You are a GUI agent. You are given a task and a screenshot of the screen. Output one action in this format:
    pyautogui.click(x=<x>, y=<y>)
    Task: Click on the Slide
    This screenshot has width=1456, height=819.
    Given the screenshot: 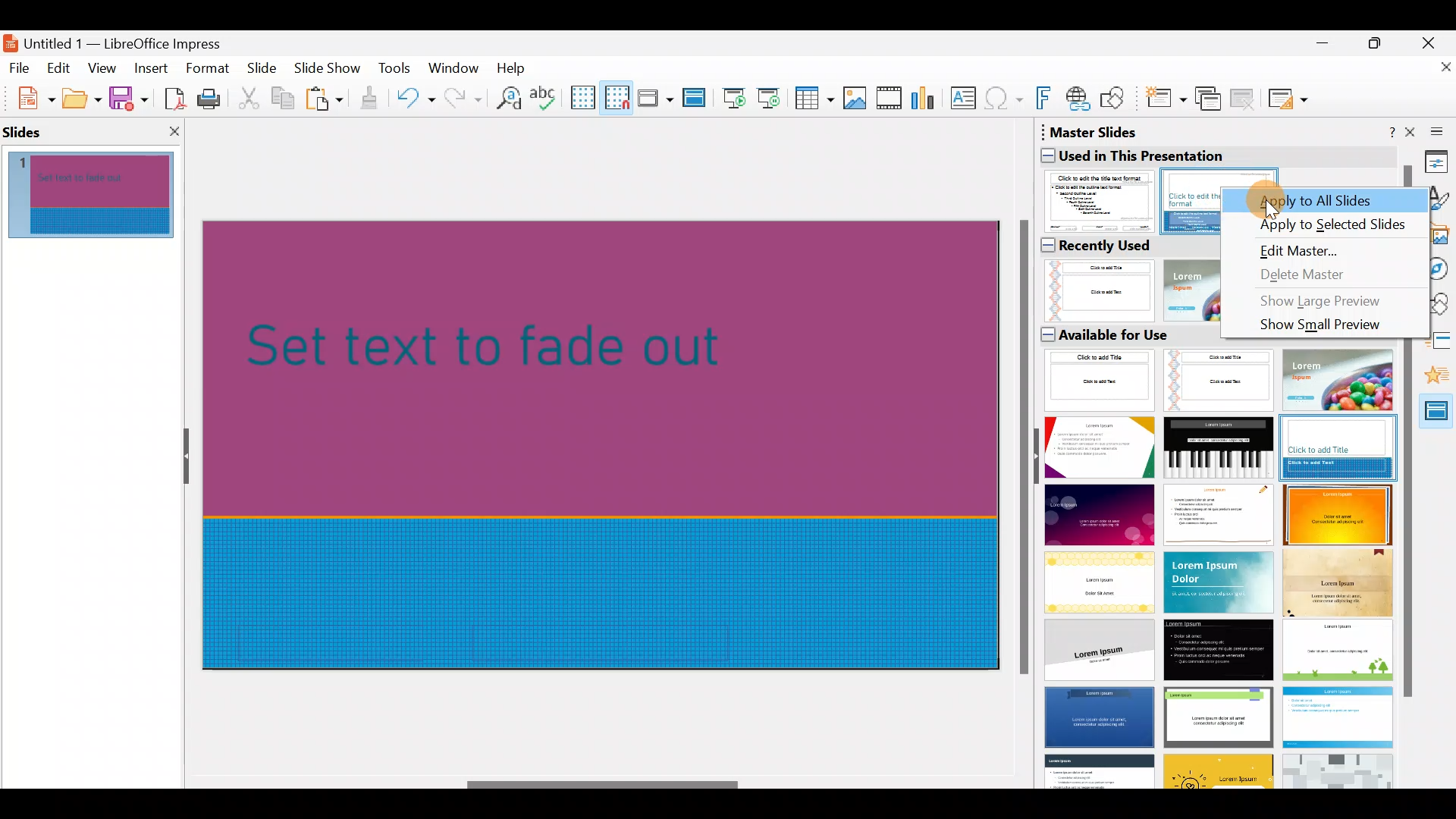 What is the action you would take?
    pyautogui.click(x=264, y=69)
    